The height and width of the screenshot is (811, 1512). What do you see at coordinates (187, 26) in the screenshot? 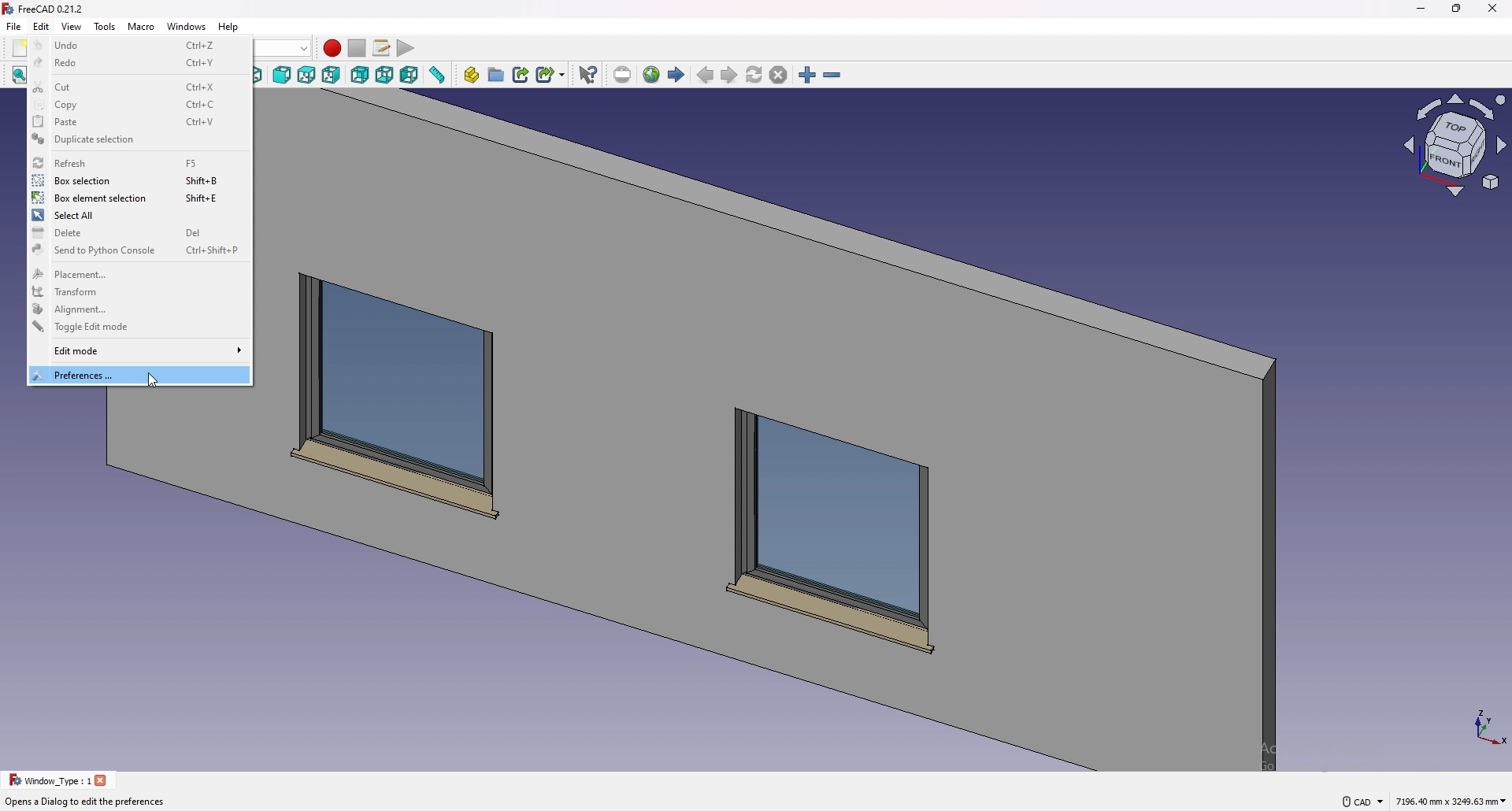
I see `windows` at bounding box center [187, 26].